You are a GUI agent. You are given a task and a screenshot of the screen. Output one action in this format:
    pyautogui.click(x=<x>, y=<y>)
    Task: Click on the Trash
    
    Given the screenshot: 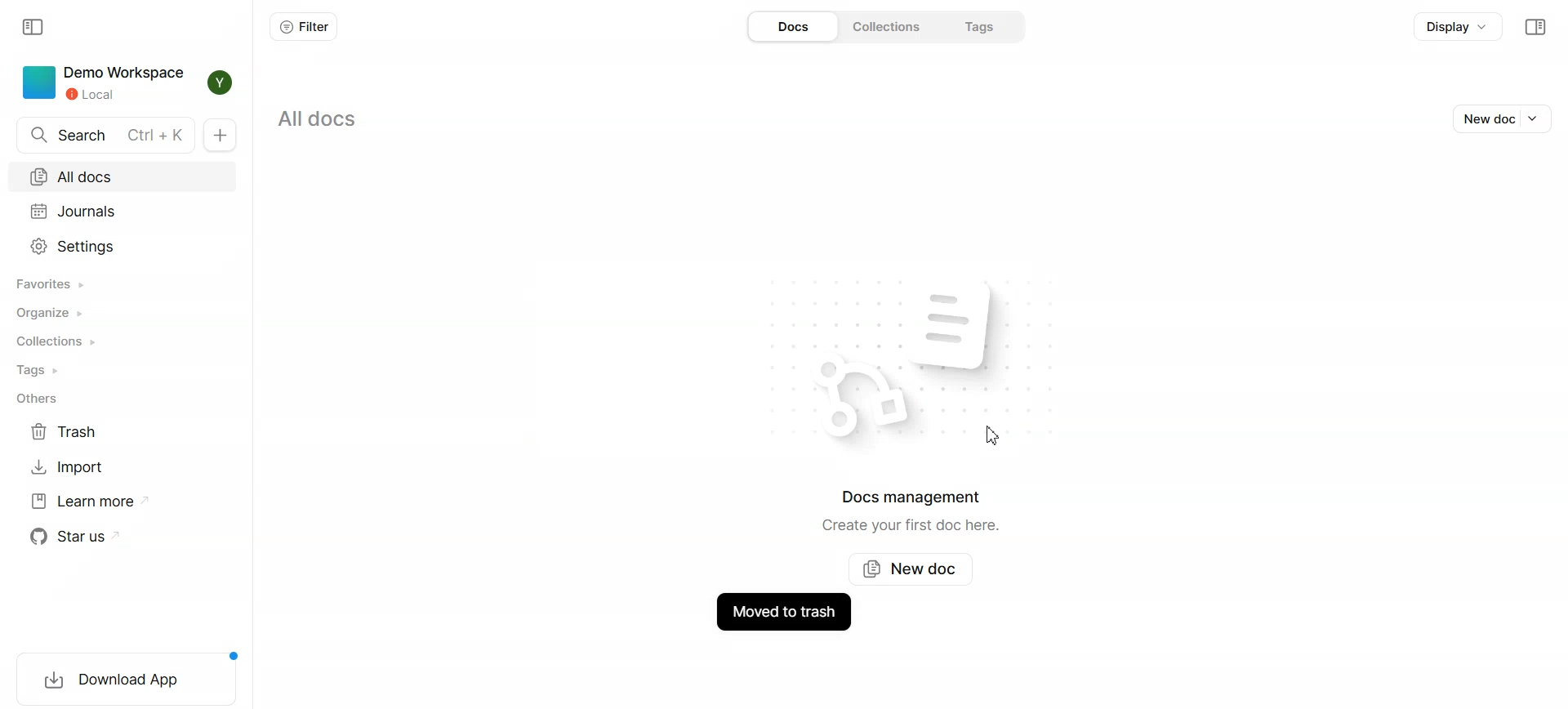 What is the action you would take?
    pyautogui.click(x=107, y=433)
    